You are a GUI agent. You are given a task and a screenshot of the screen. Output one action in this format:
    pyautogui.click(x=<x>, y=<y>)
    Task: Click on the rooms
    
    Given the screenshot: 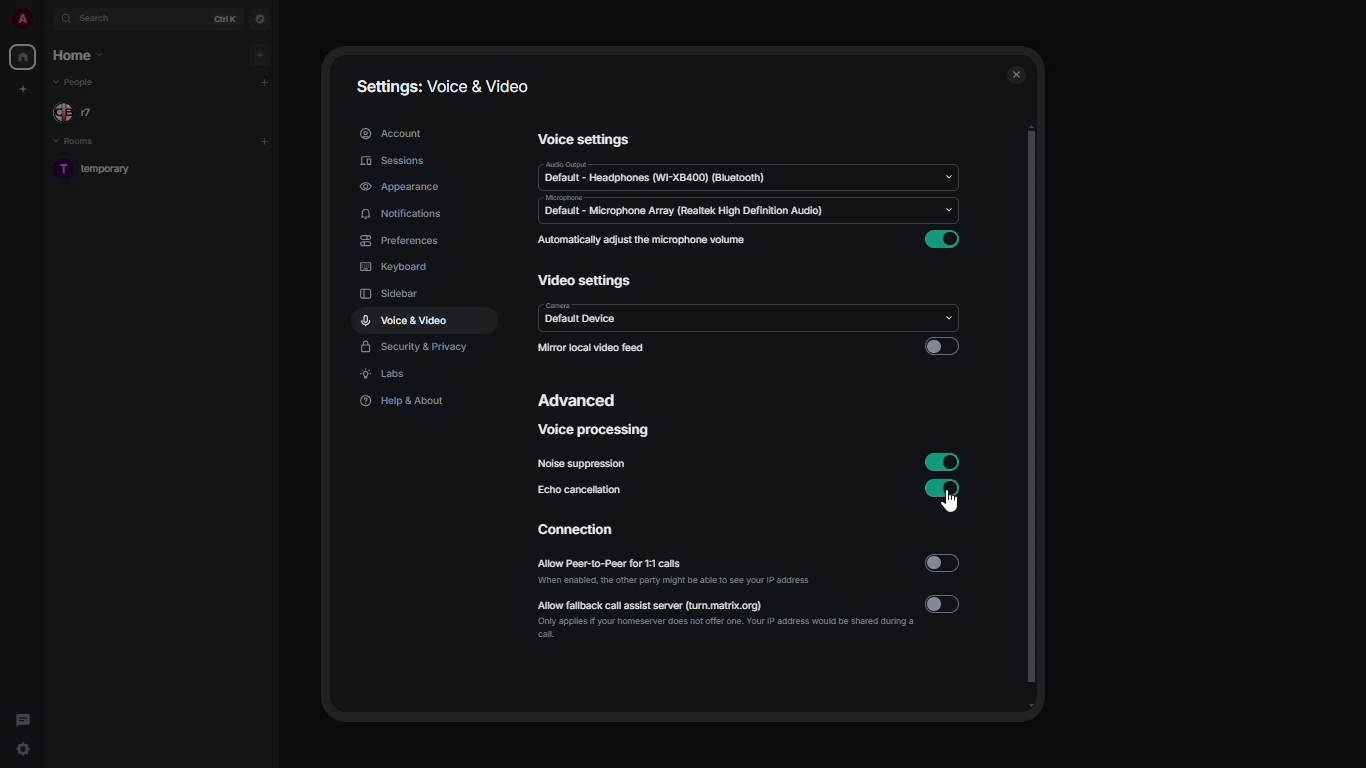 What is the action you would take?
    pyautogui.click(x=81, y=141)
    